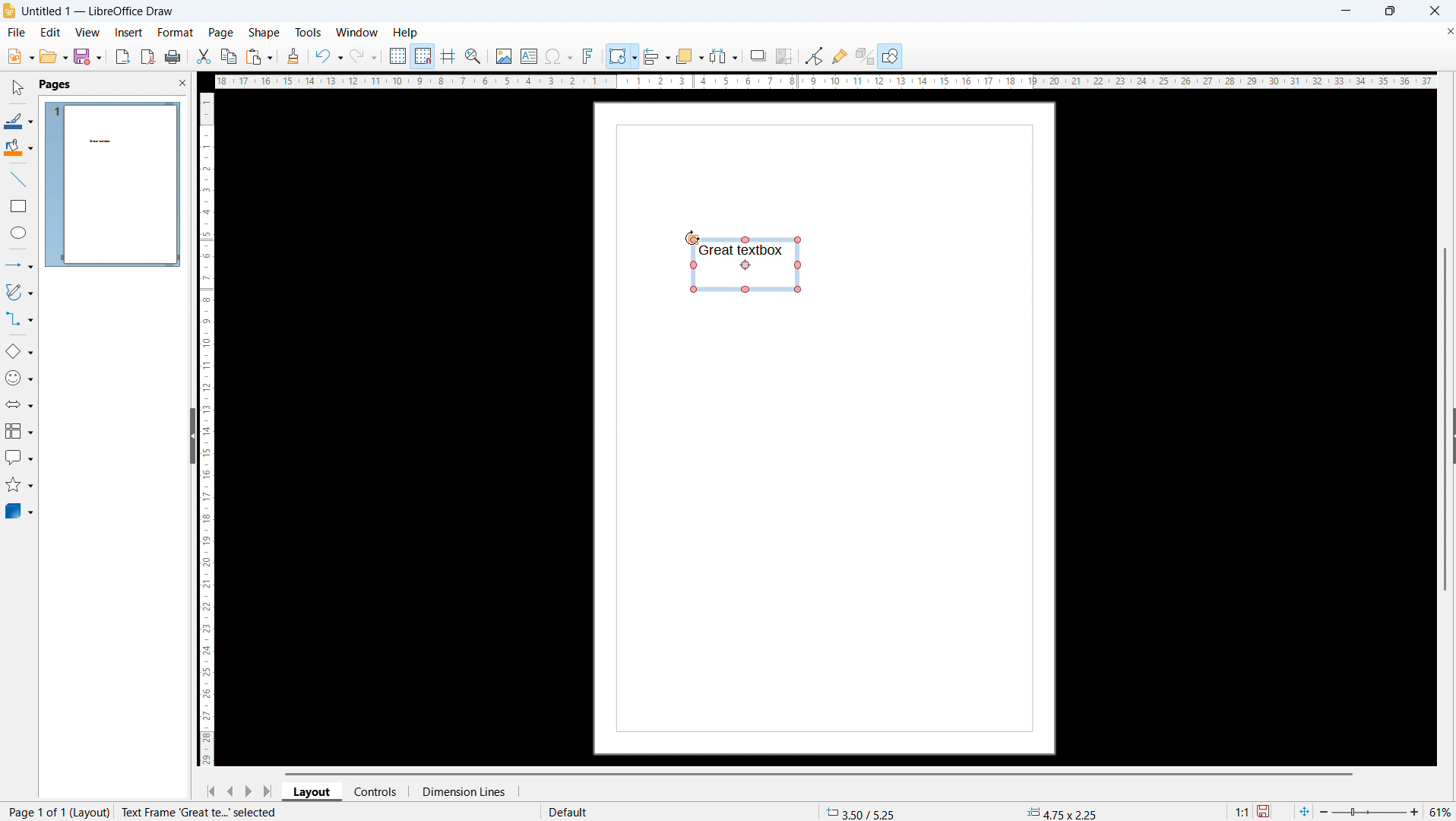 This screenshot has height=821, width=1456. What do you see at coordinates (264, 33) in the screenshot?
I see `shape` at bounding box center [264, 33].